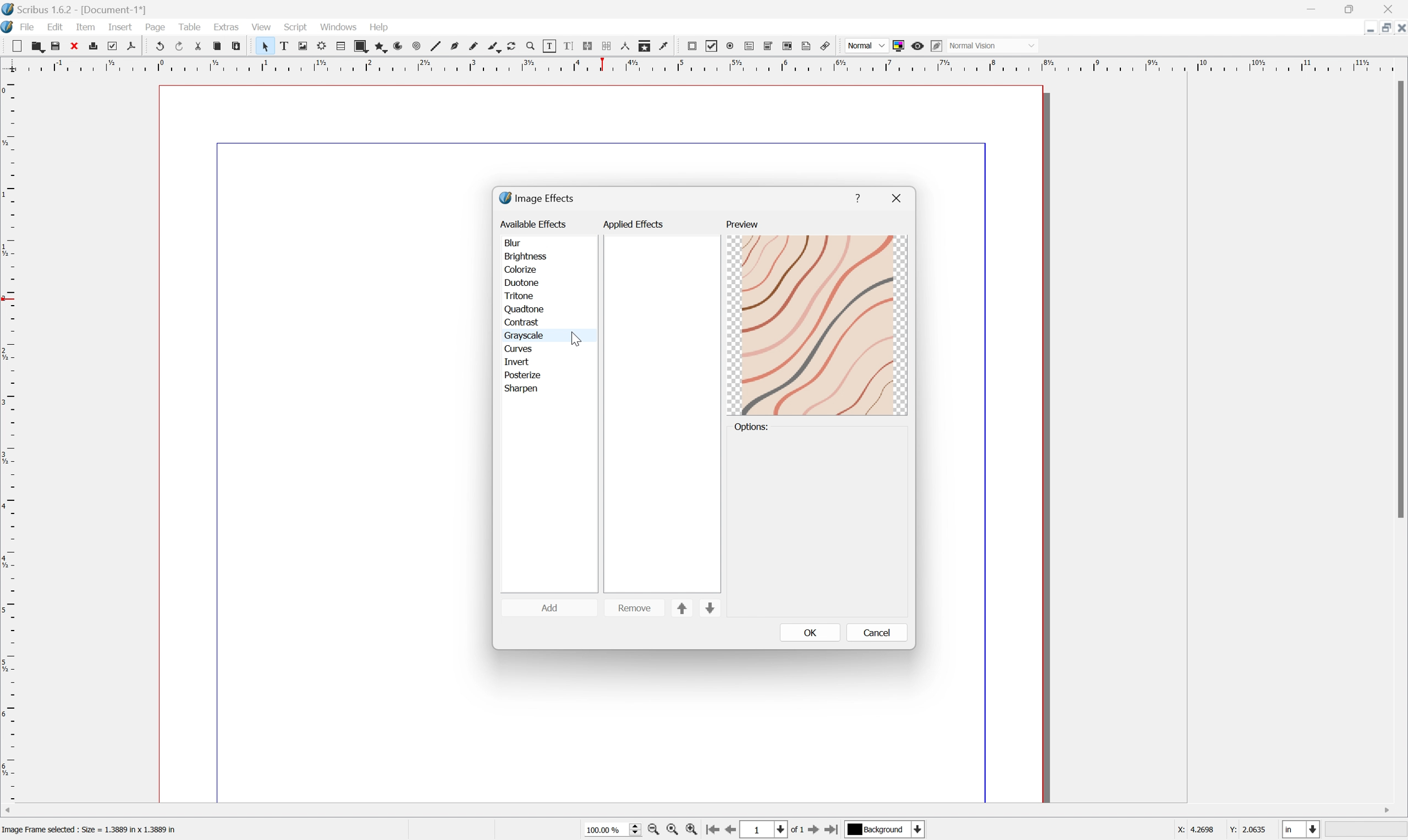 This screenshot has width=1408, height=840. I want to click on Zoom in or out, so click(536, 48).